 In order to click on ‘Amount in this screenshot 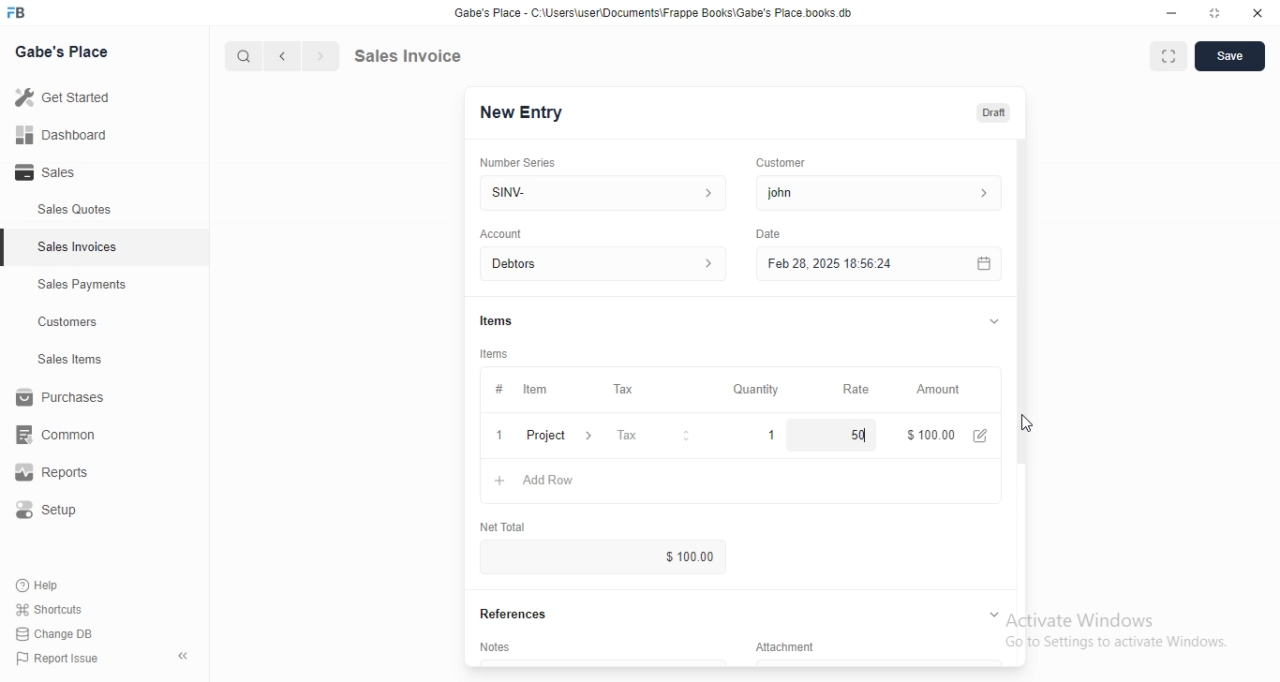, I will do `click(940, 390)`.